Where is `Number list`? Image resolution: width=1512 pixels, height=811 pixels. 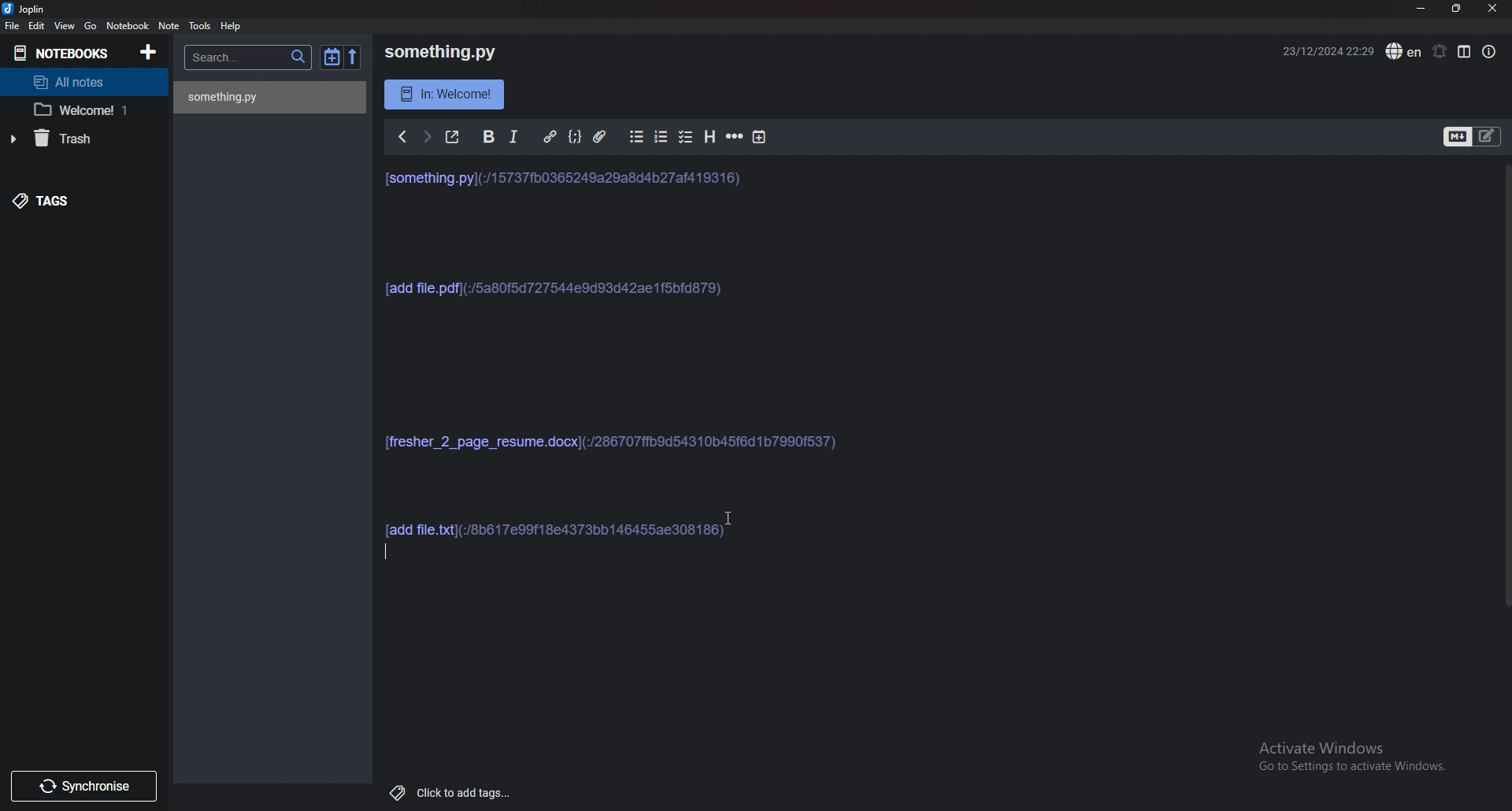
Number list is located at coordinates (663, 136).